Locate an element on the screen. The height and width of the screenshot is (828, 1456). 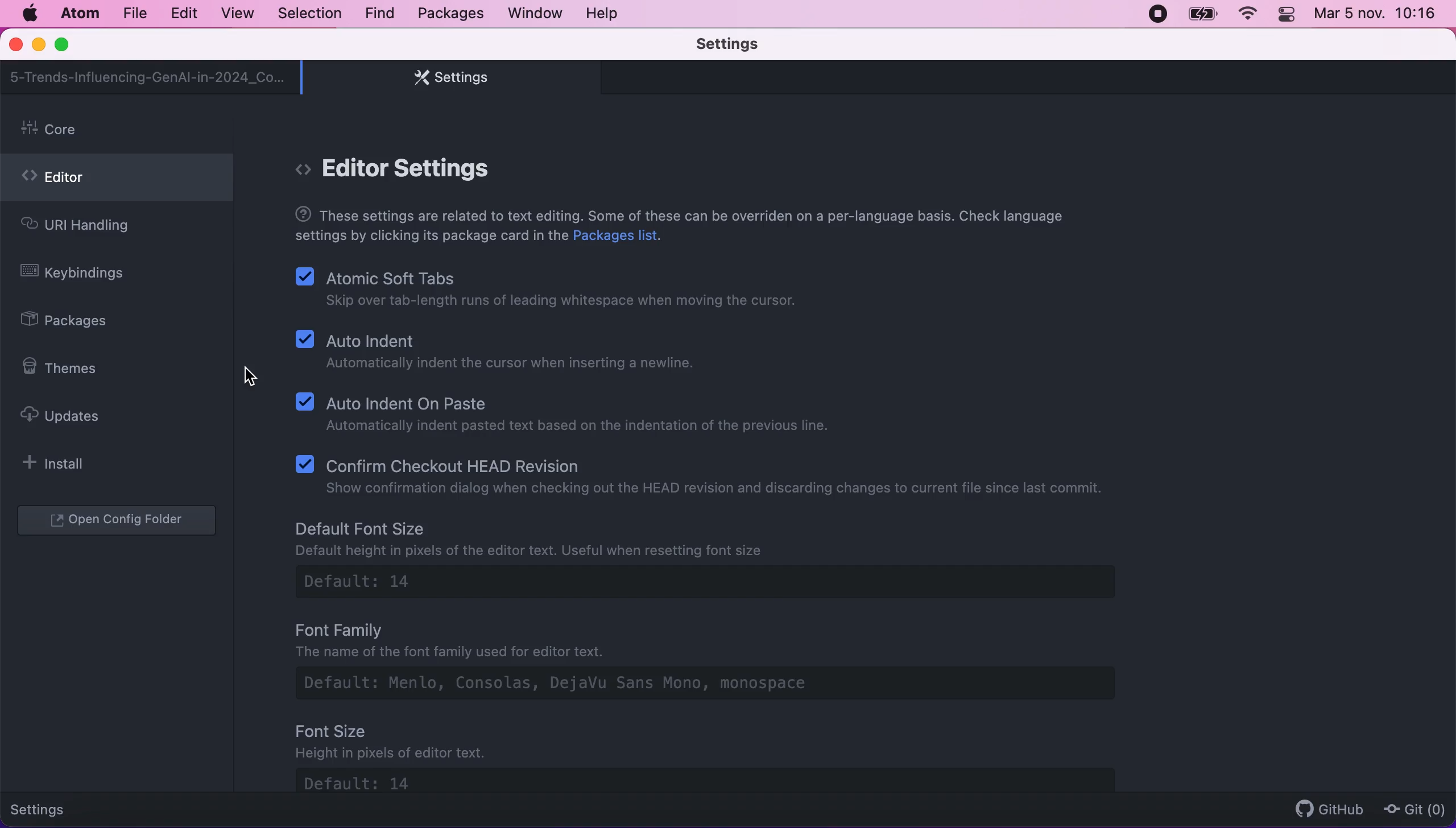
wifi is located at coordinates (1246, 14).